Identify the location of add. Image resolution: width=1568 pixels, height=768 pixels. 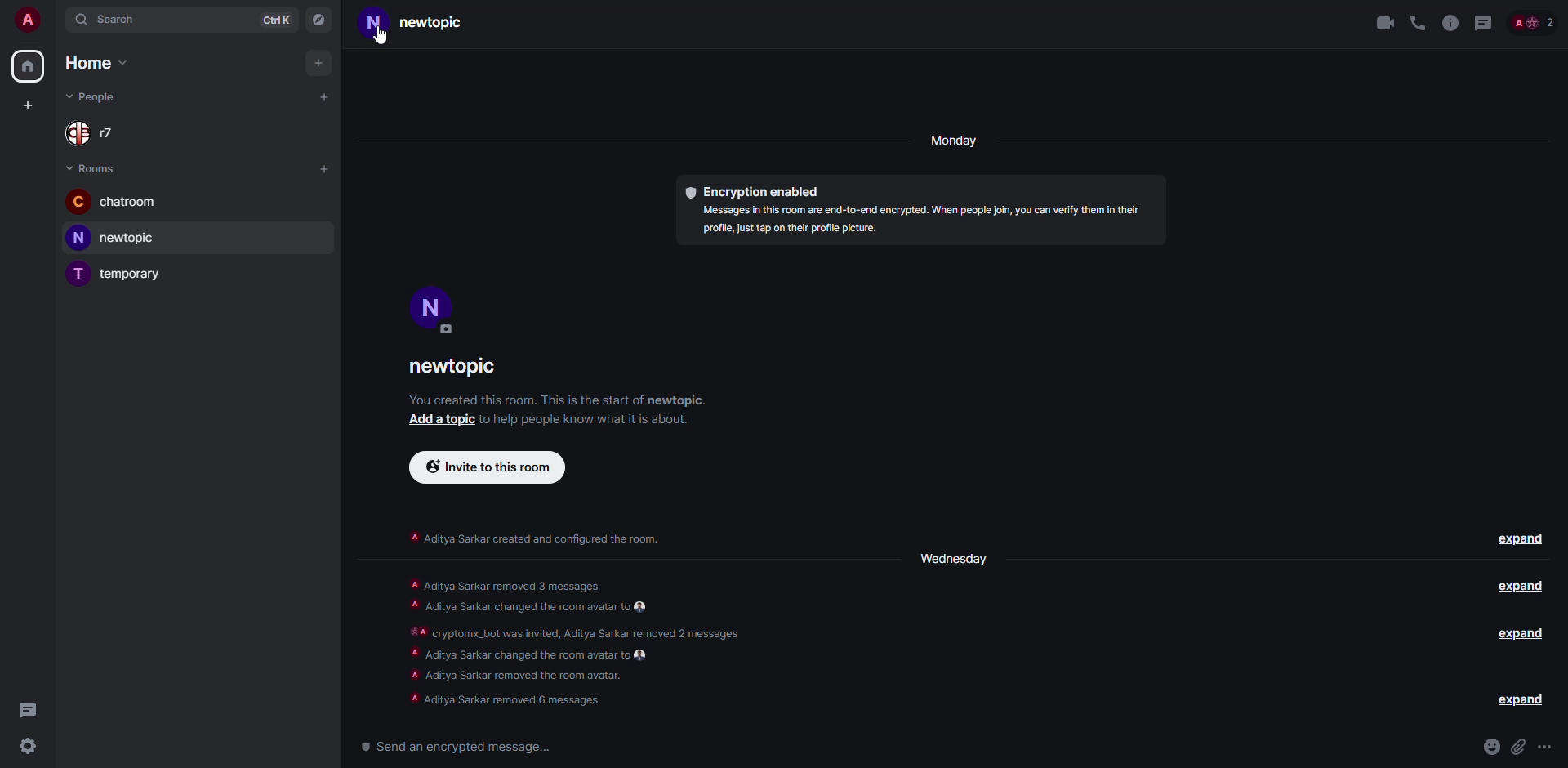
(322, 168).